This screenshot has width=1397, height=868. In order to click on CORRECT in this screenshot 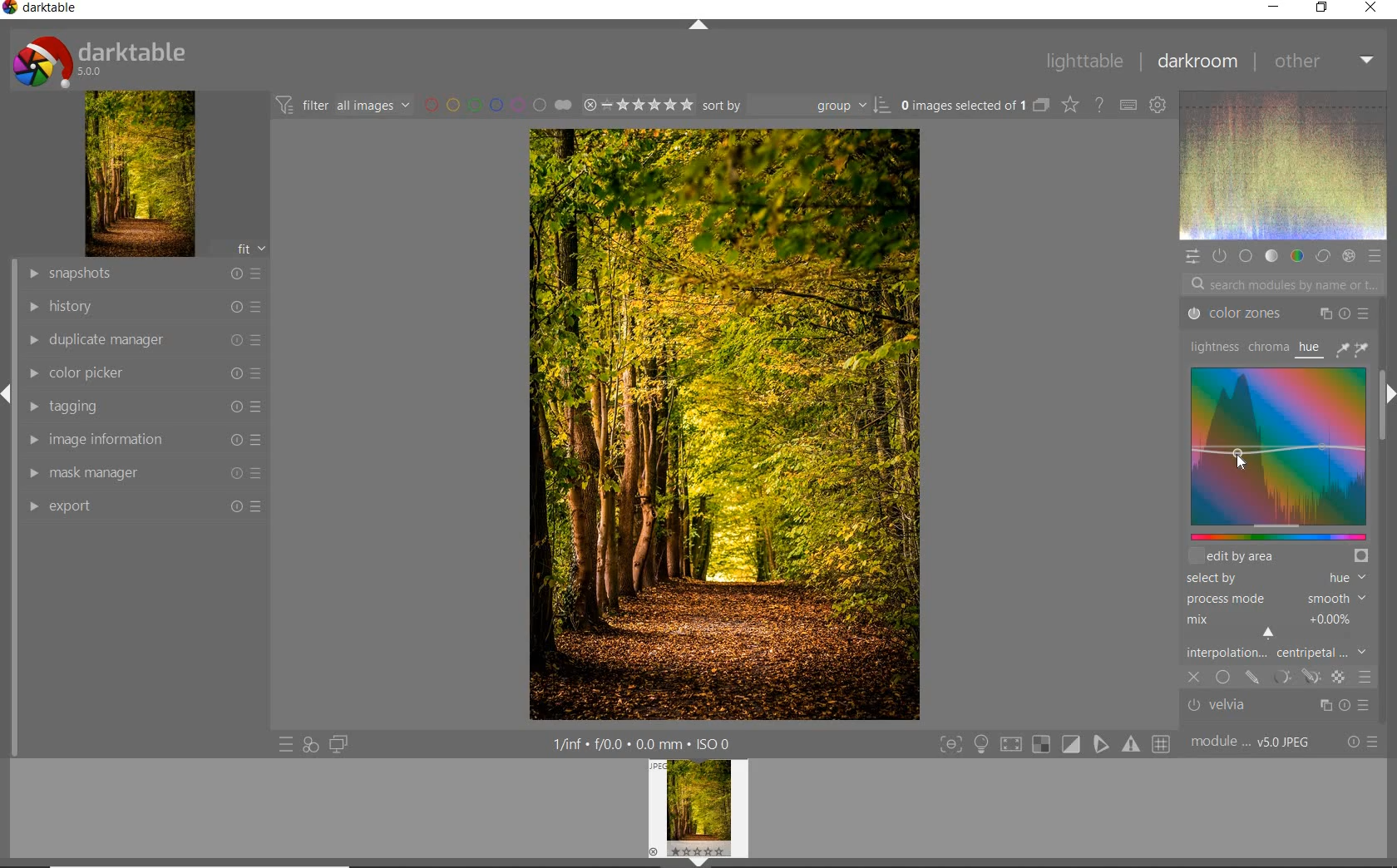, I will do `click(1323, 257)`.